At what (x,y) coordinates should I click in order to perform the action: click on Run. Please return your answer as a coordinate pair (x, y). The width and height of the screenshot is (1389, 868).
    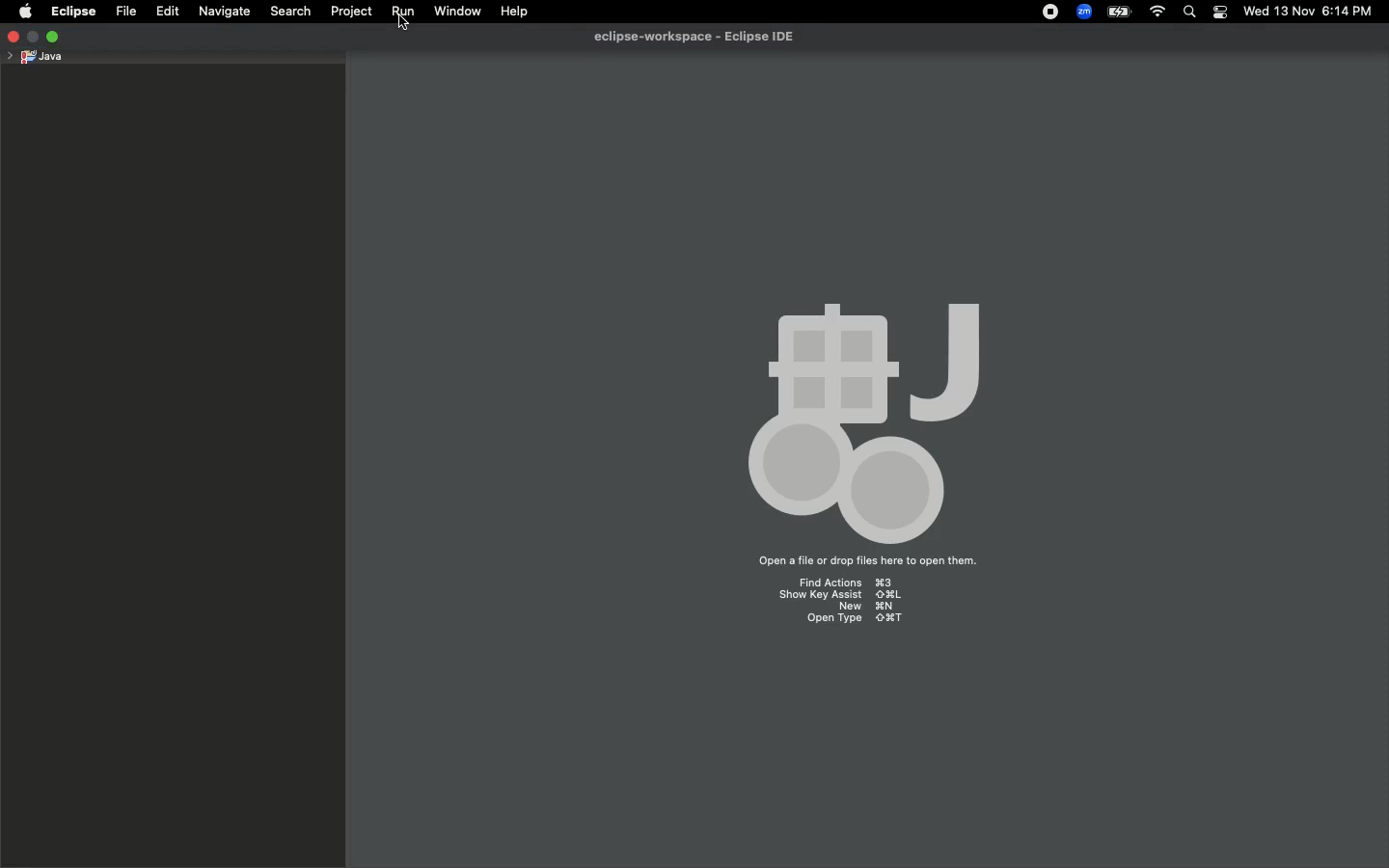
    Looking at the image, I should click on (401, 14).